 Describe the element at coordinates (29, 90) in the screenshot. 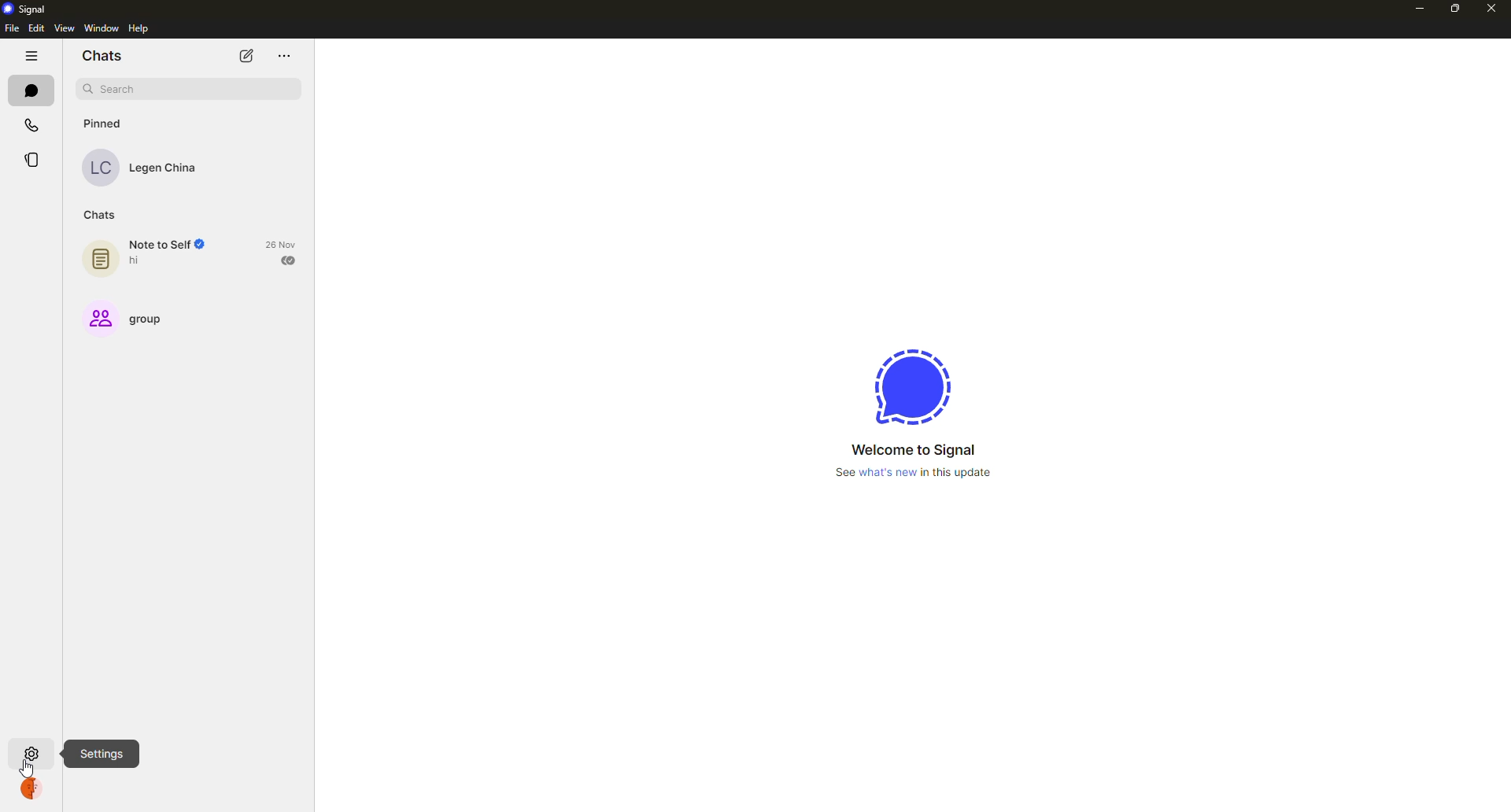

I see `chats` at that location.